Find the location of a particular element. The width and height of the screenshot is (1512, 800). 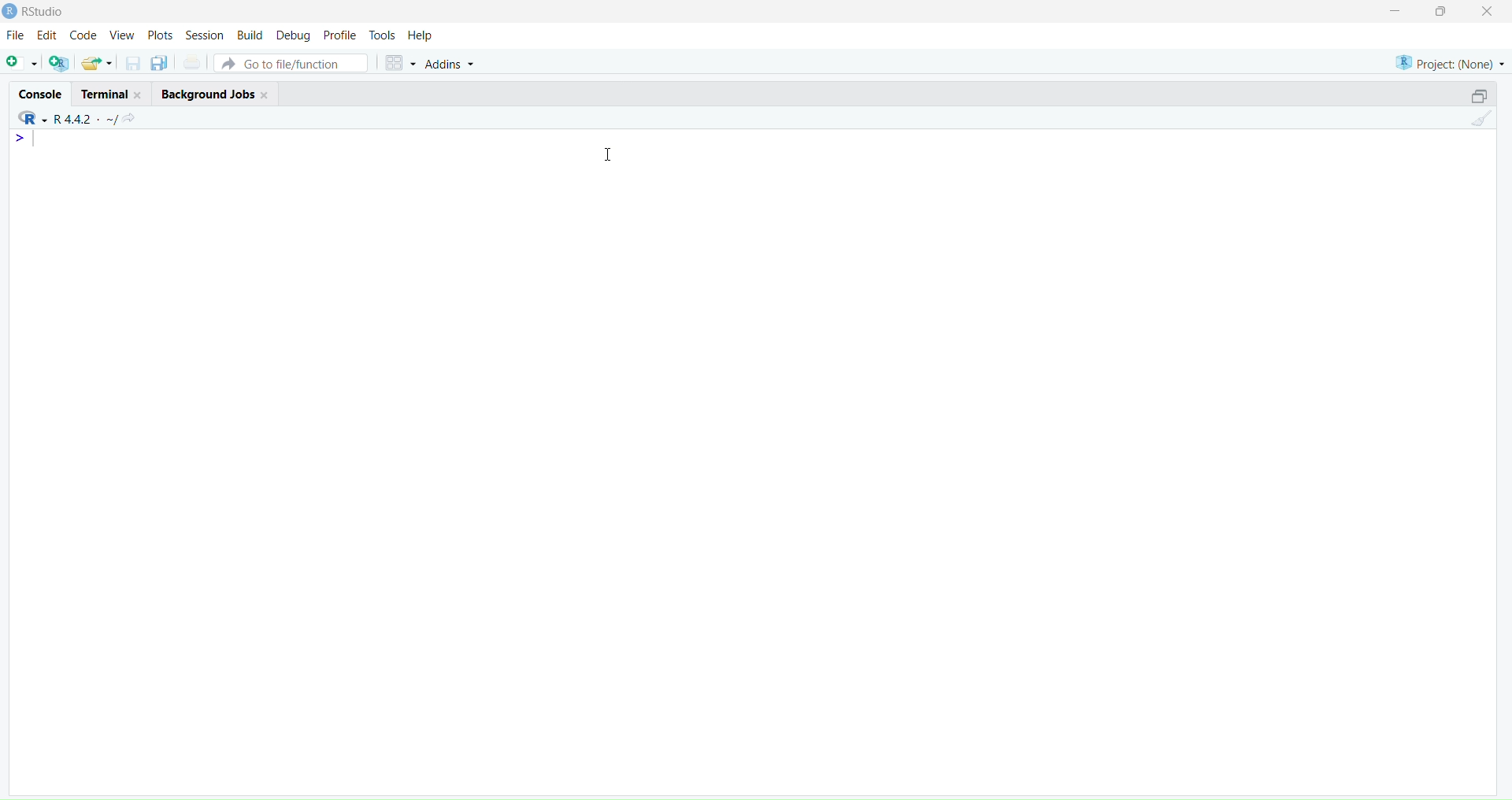

save as is located at coordinates (159, 64).